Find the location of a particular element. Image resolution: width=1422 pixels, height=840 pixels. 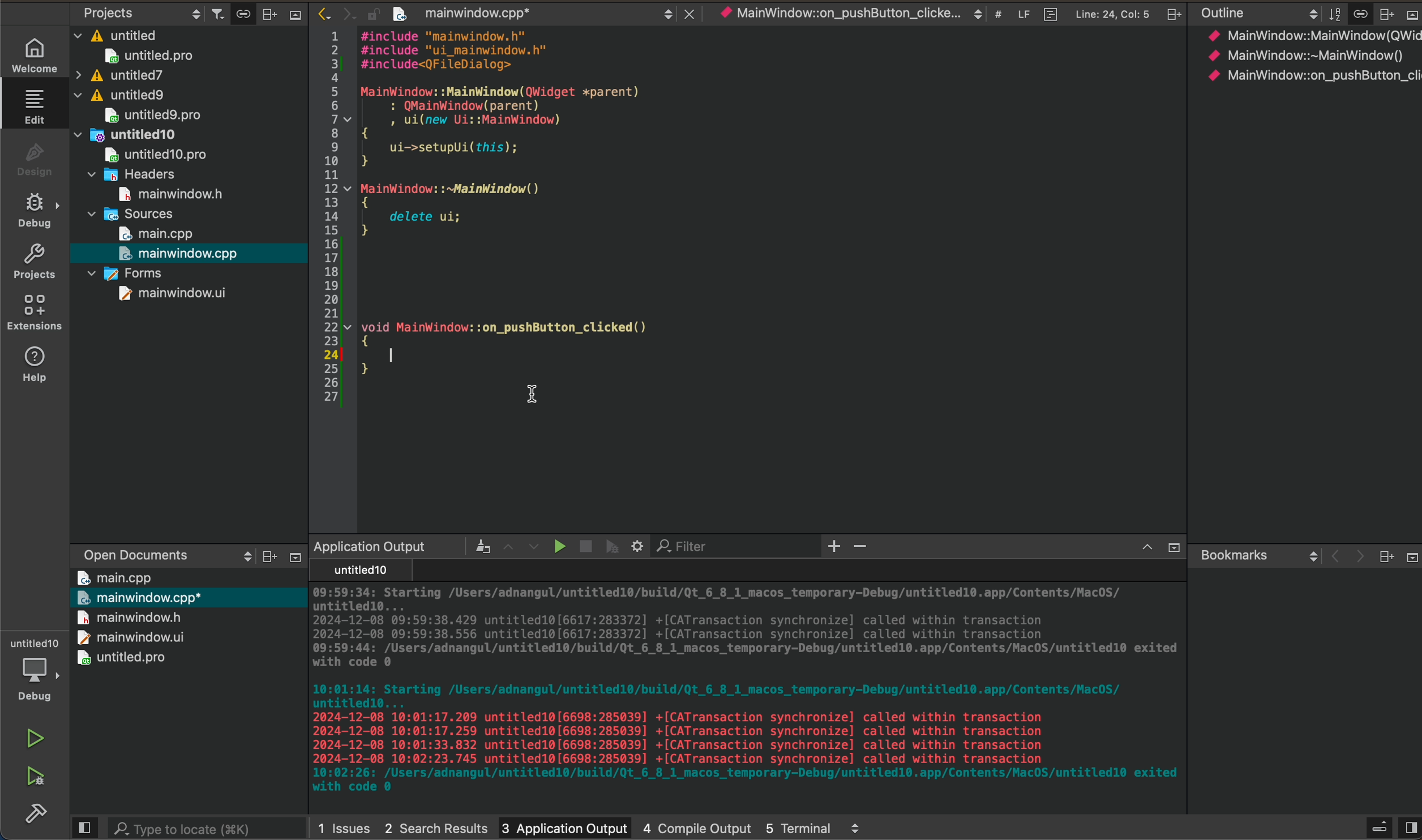

cursor is located at coordinates (532, 396).